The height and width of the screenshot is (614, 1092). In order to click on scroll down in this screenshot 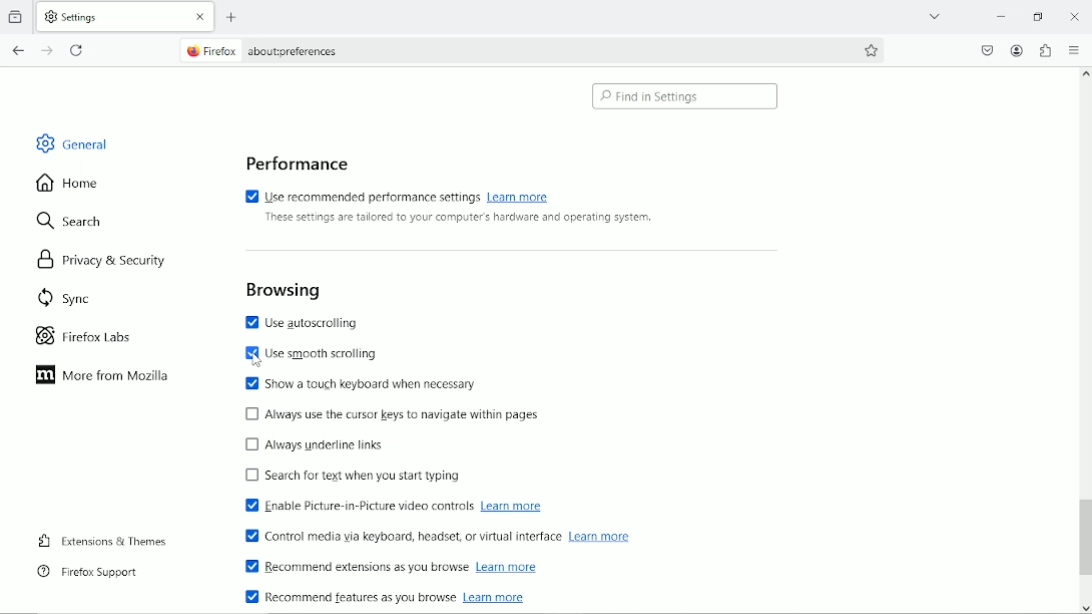, I will do `click(1085, 608)`.